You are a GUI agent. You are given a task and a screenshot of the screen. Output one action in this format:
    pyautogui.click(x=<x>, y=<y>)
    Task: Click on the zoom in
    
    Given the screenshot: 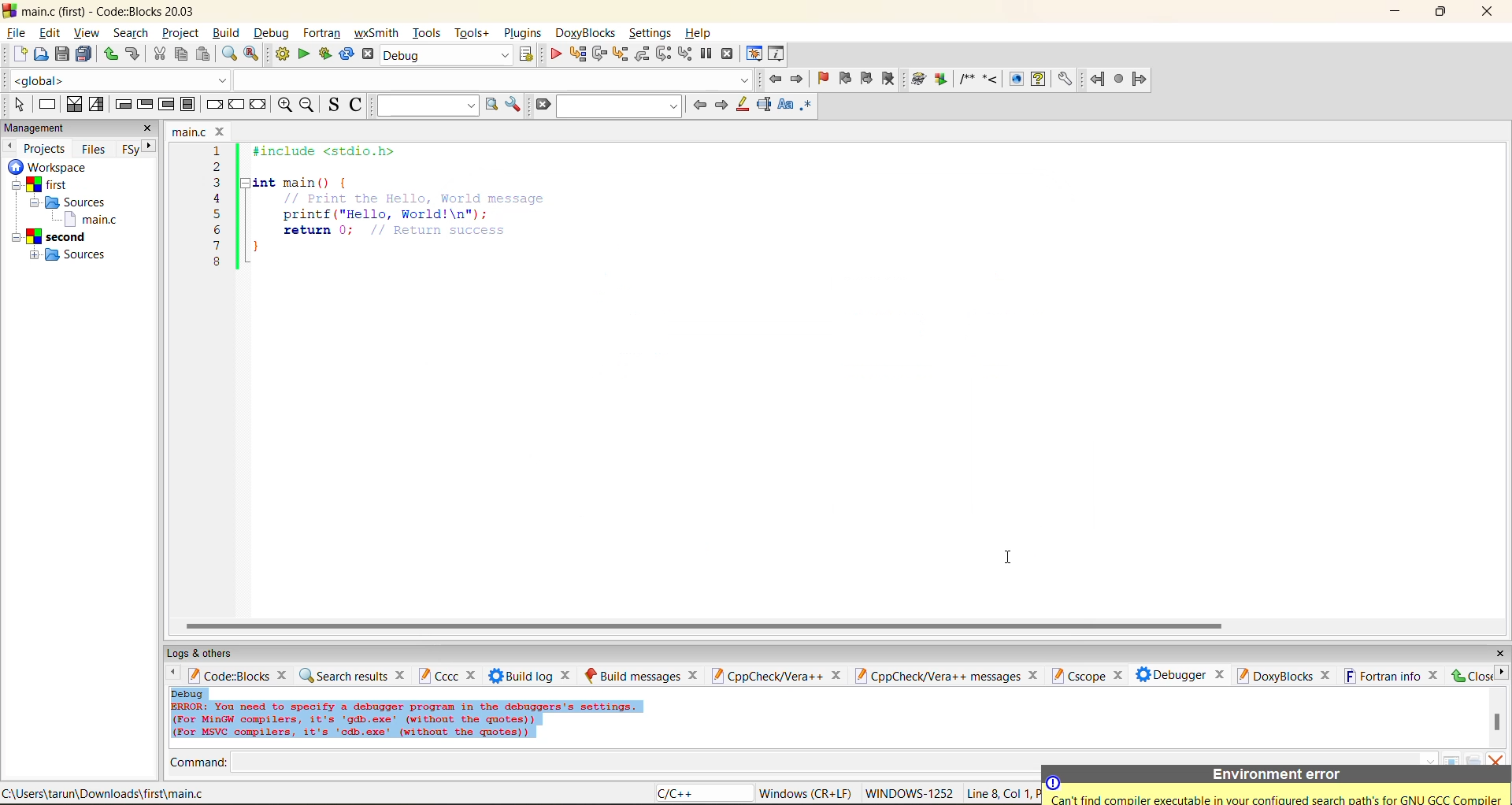 What is the action you would take?
    pyautogui.click(x=286, y=106)
    